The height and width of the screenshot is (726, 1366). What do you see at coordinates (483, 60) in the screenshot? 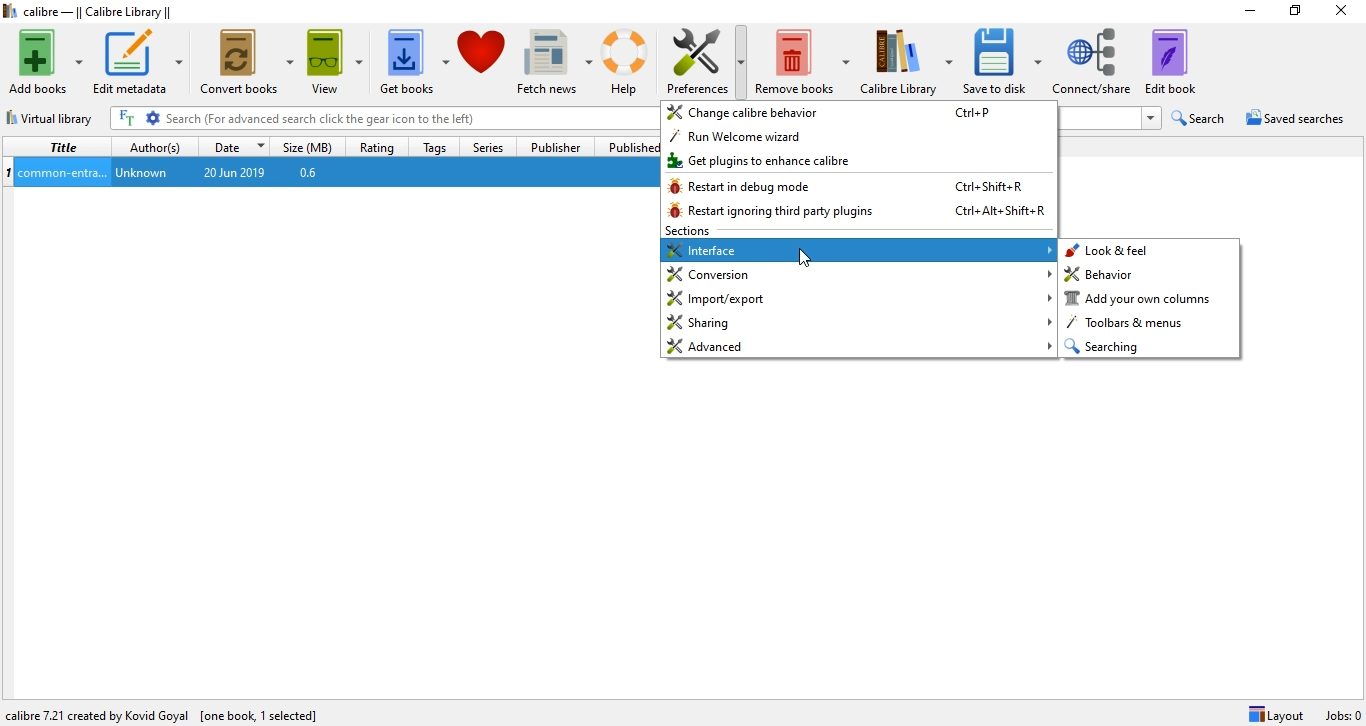
I see `Donate to calibre` at bounding box center [483, 60].